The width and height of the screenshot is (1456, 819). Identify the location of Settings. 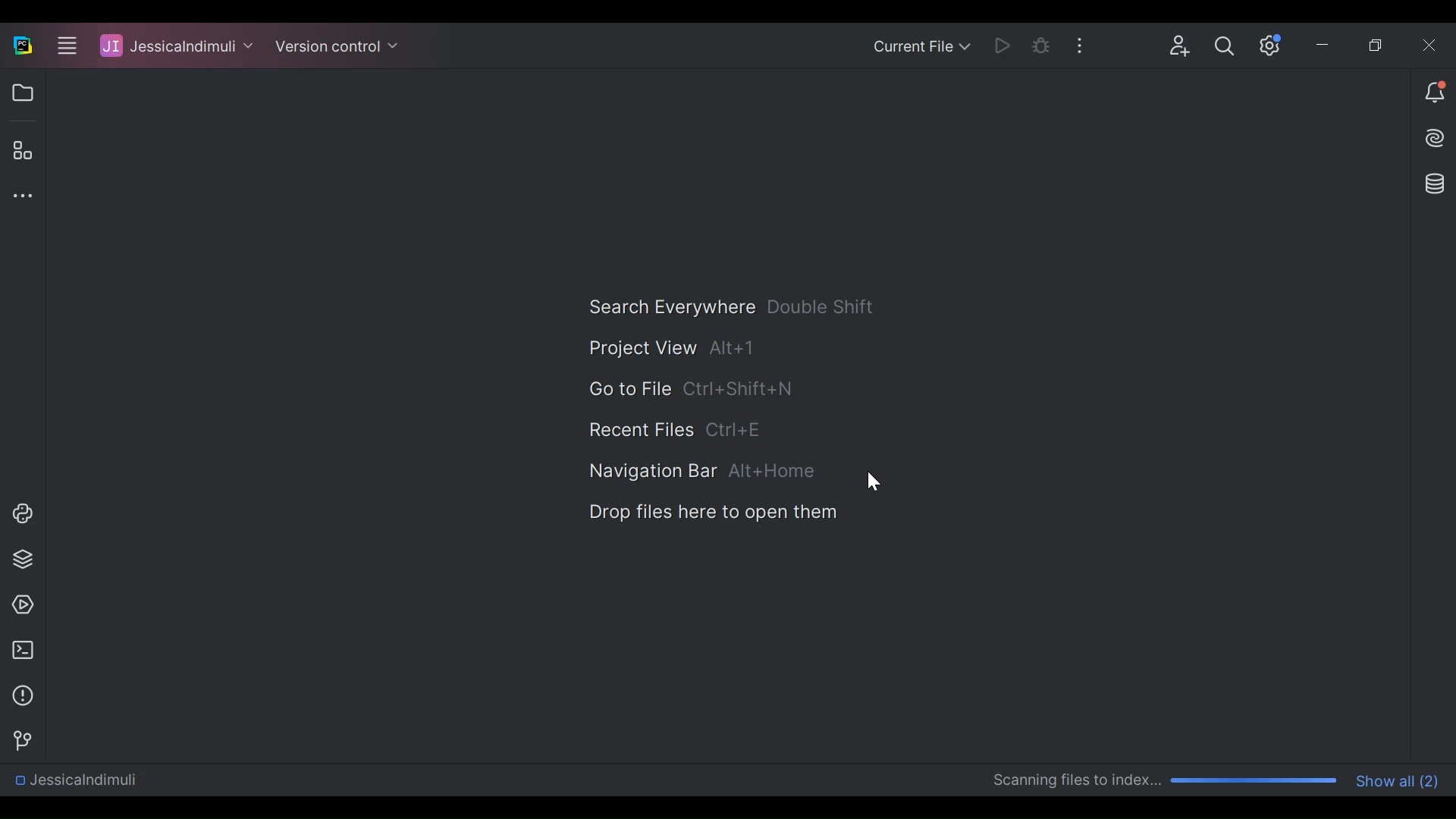
(1266, 44).